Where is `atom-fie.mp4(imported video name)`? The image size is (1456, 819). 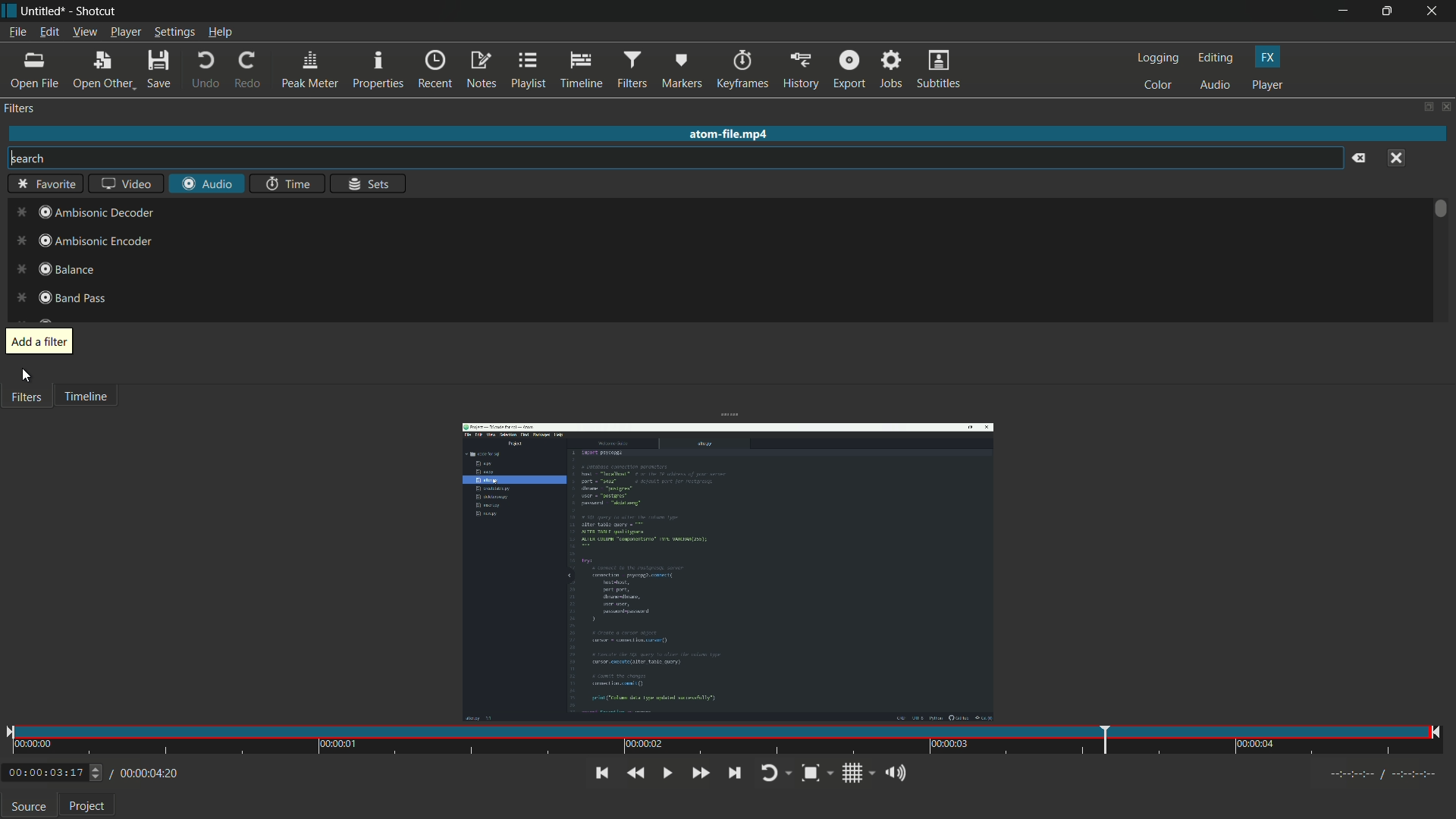 atom-fie.mp4(imported video name) is located at coordinates (725, 134).